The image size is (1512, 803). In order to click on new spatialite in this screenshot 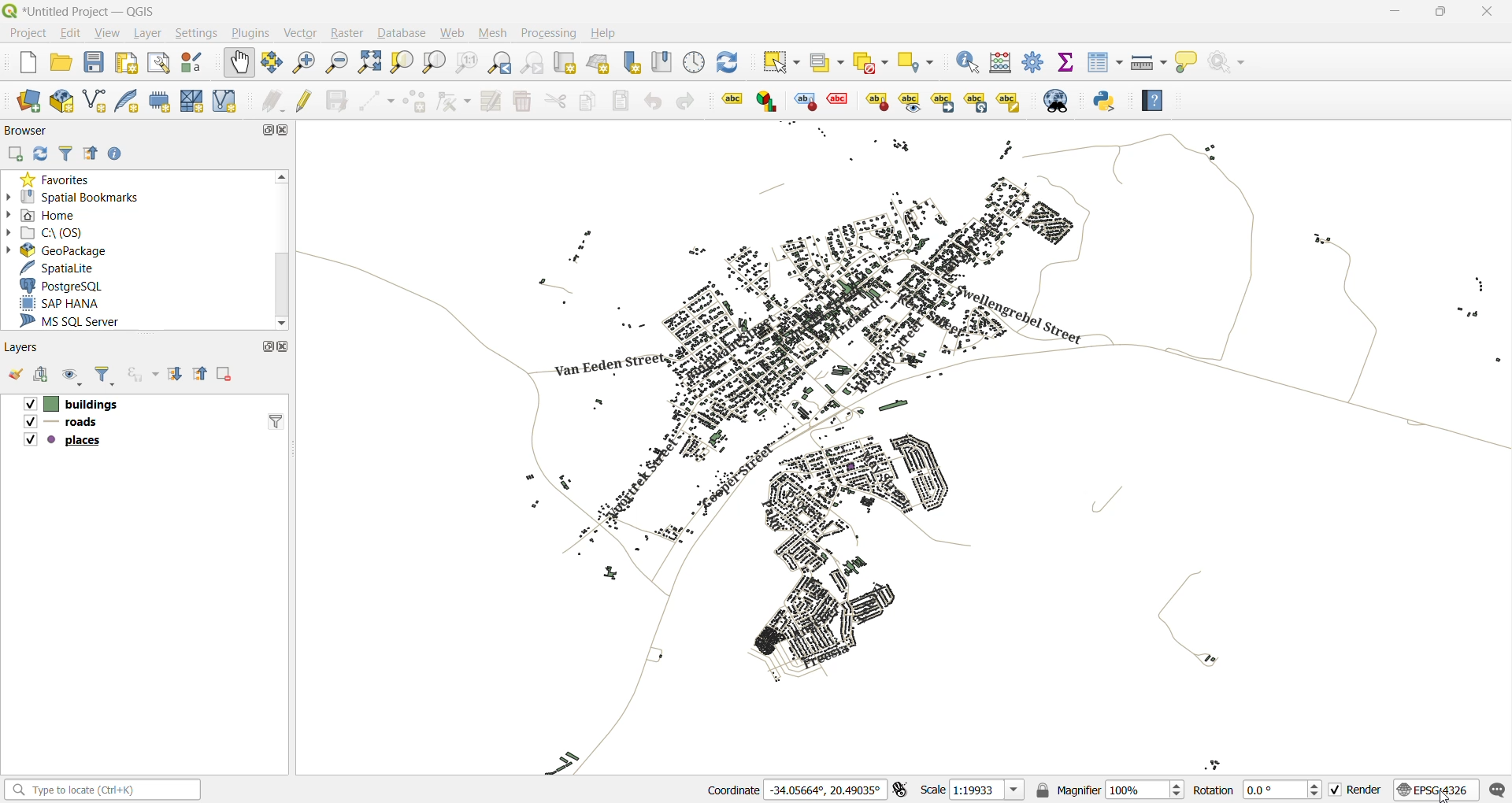, I will do `click(131, 101)`.